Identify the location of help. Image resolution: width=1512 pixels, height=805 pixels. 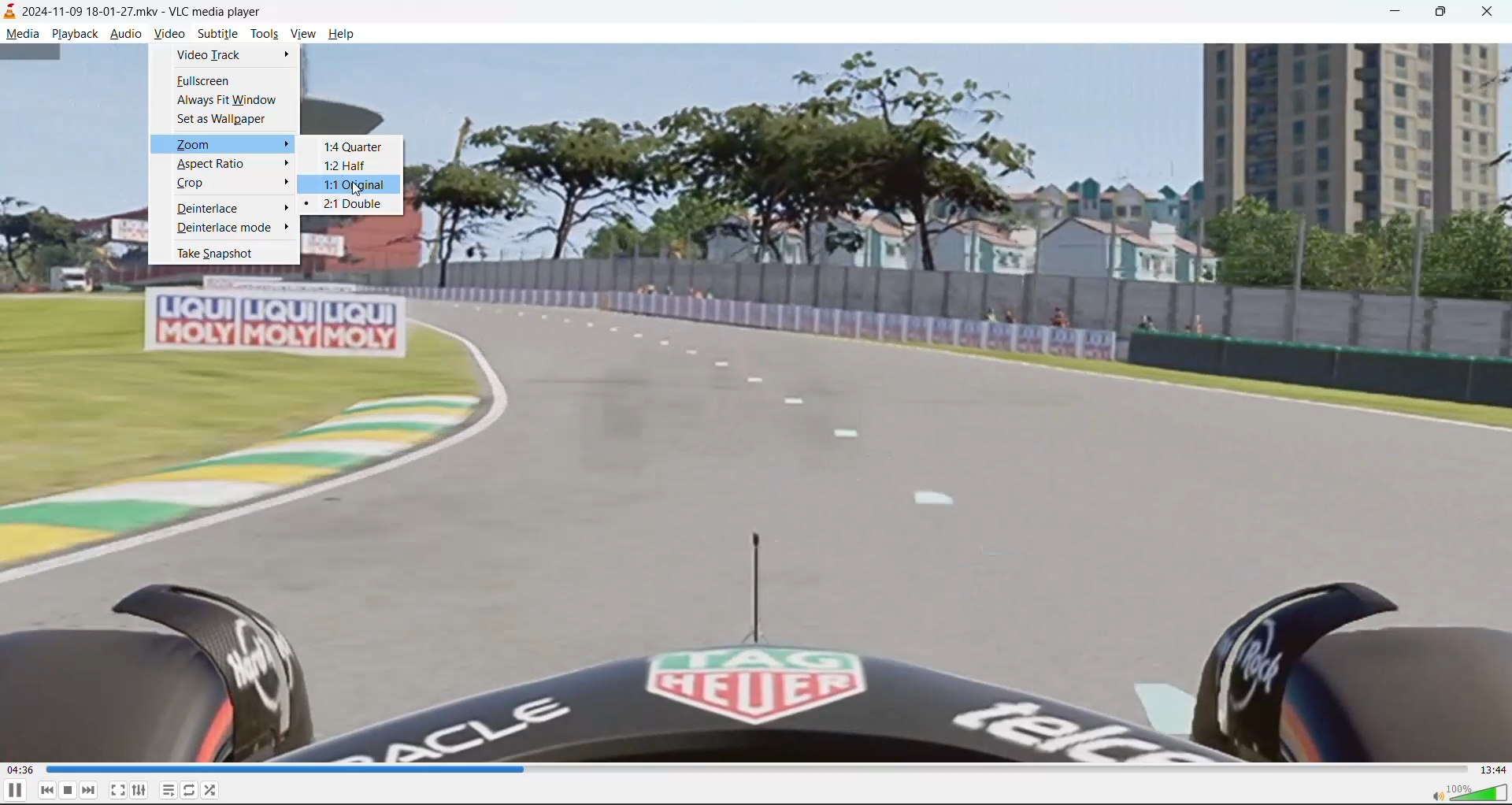
(345, 37).